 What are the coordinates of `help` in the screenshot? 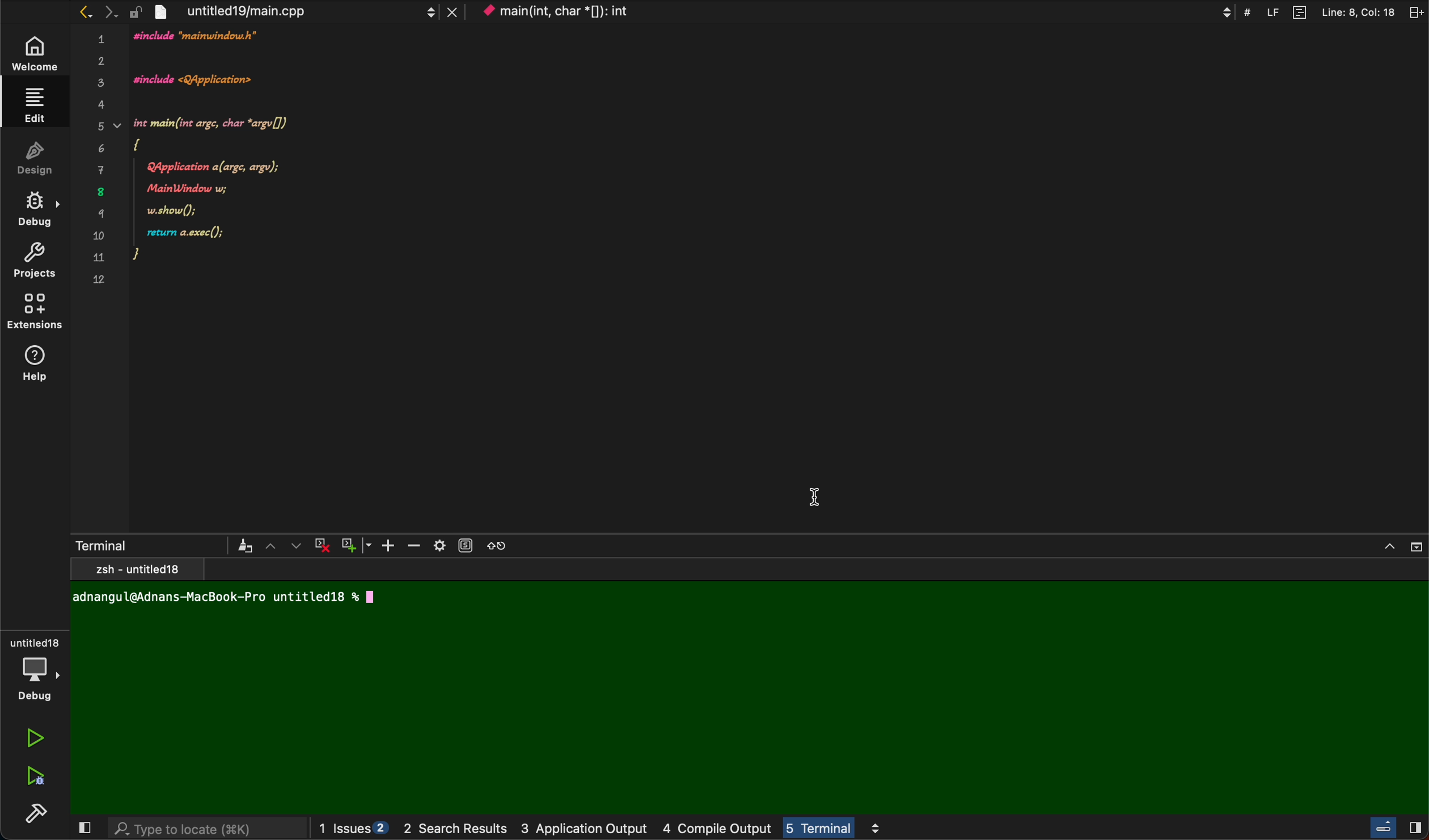 It's located at (39, 364).